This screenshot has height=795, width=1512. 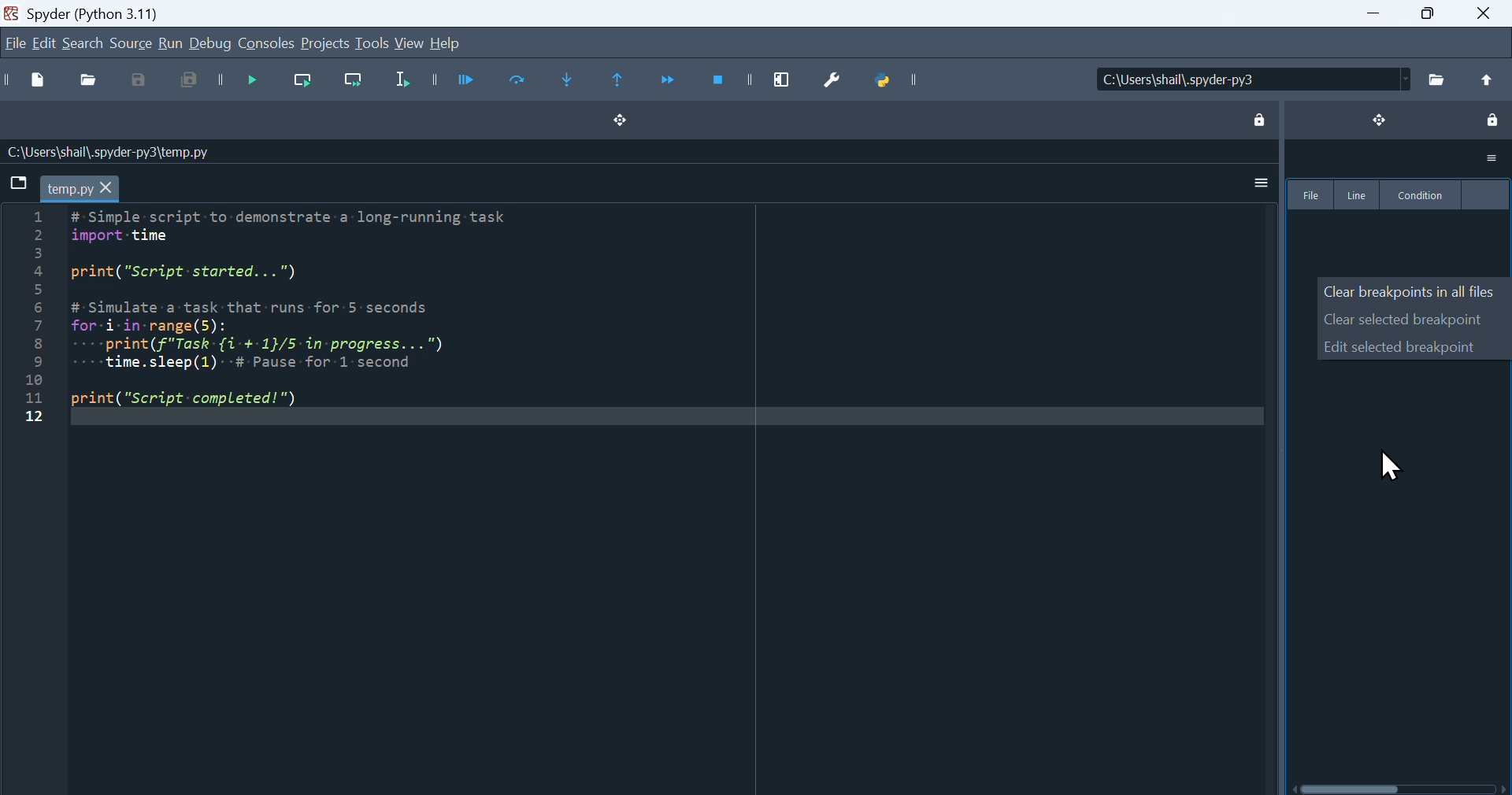 I want to click on change to parent directory, so click(x=1486, y=79).